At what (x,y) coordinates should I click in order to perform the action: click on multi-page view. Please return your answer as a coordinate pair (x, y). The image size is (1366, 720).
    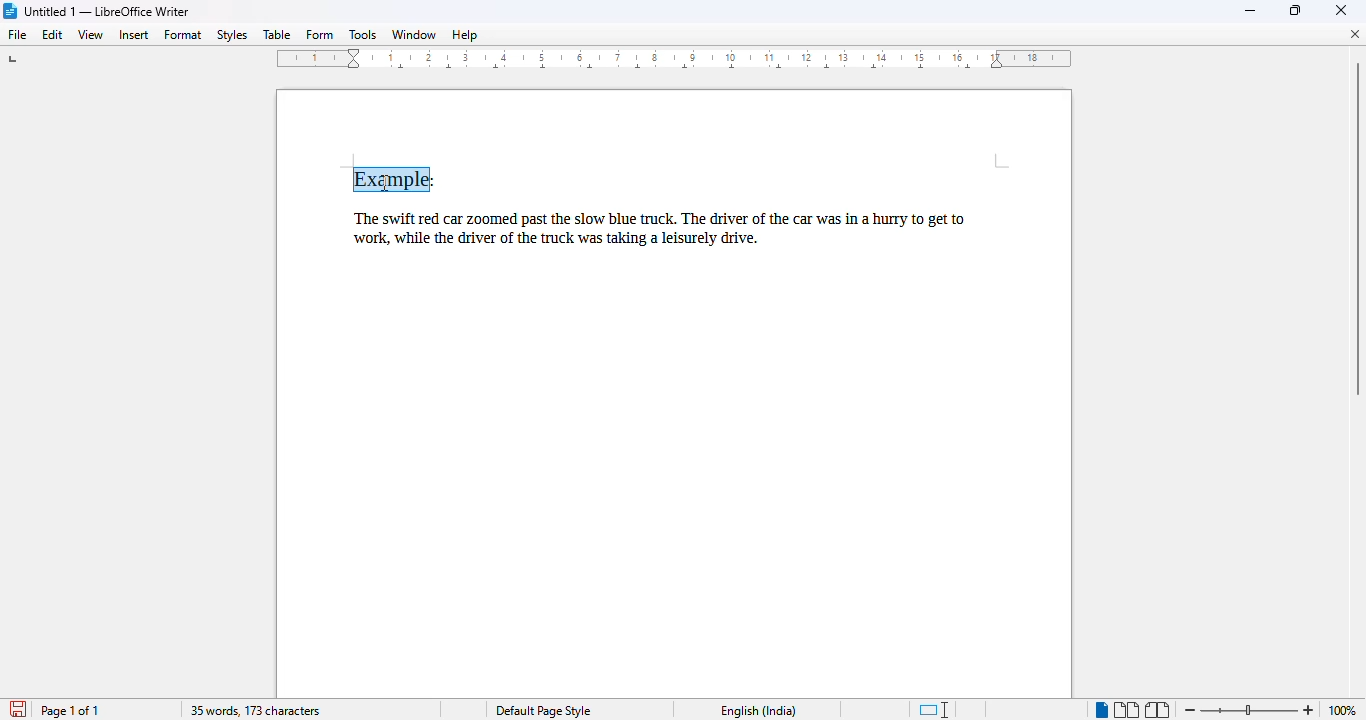
    Looking at the image, I should click on (1126, 710).